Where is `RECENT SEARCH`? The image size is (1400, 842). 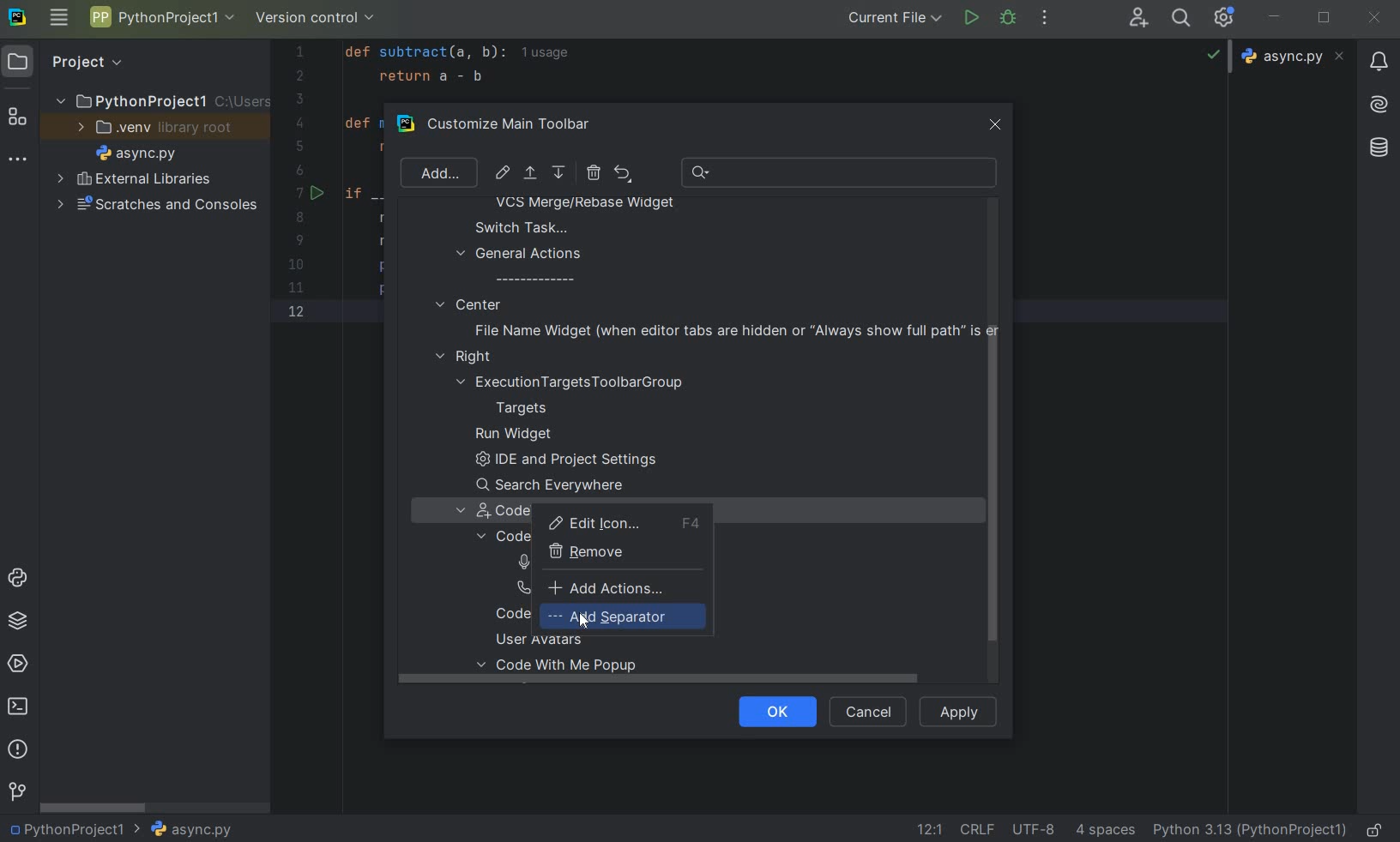
RECENT SEARCH is located at coordinates (841, 172).